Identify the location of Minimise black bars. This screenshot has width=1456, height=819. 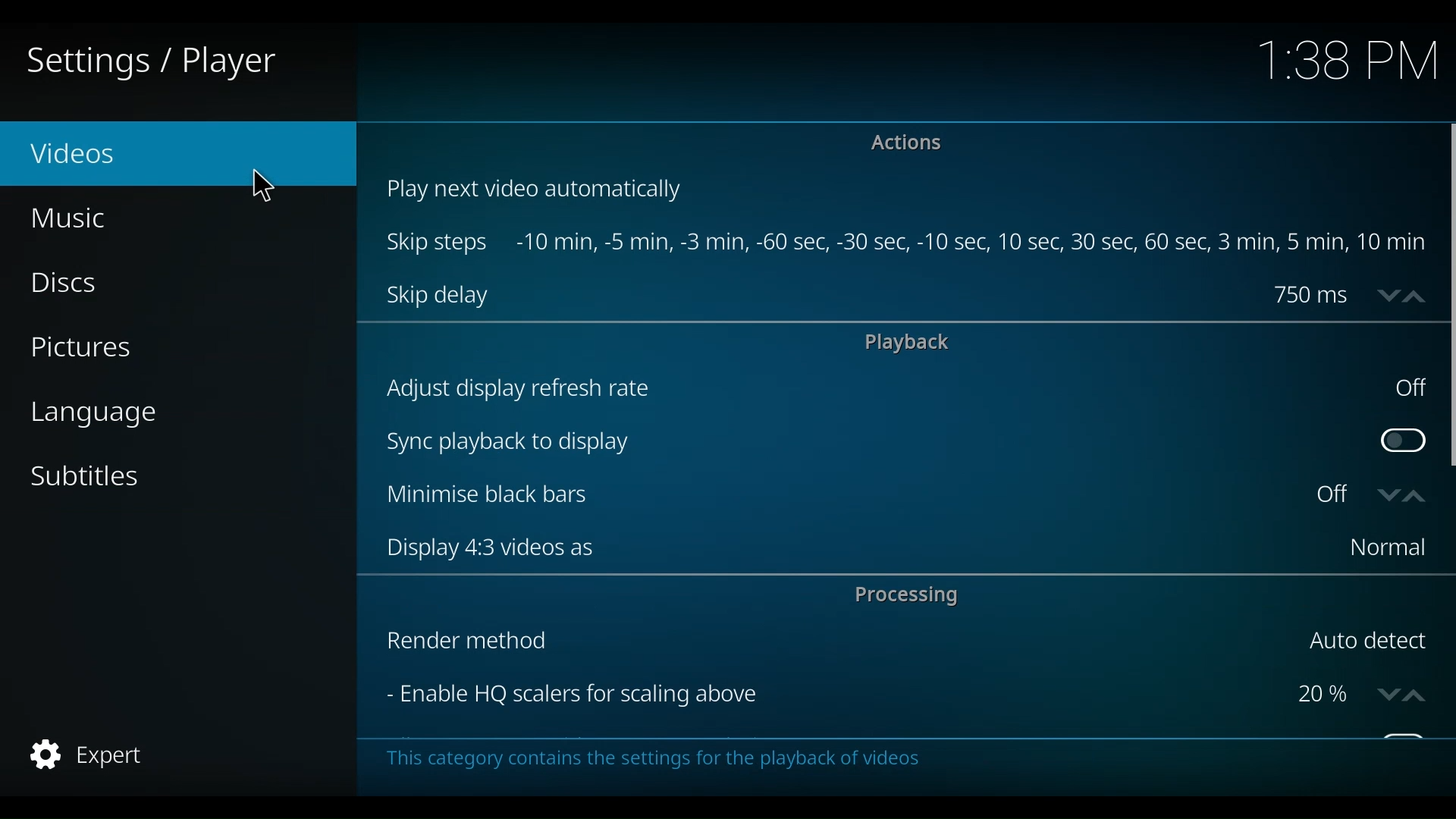
(844, 495).